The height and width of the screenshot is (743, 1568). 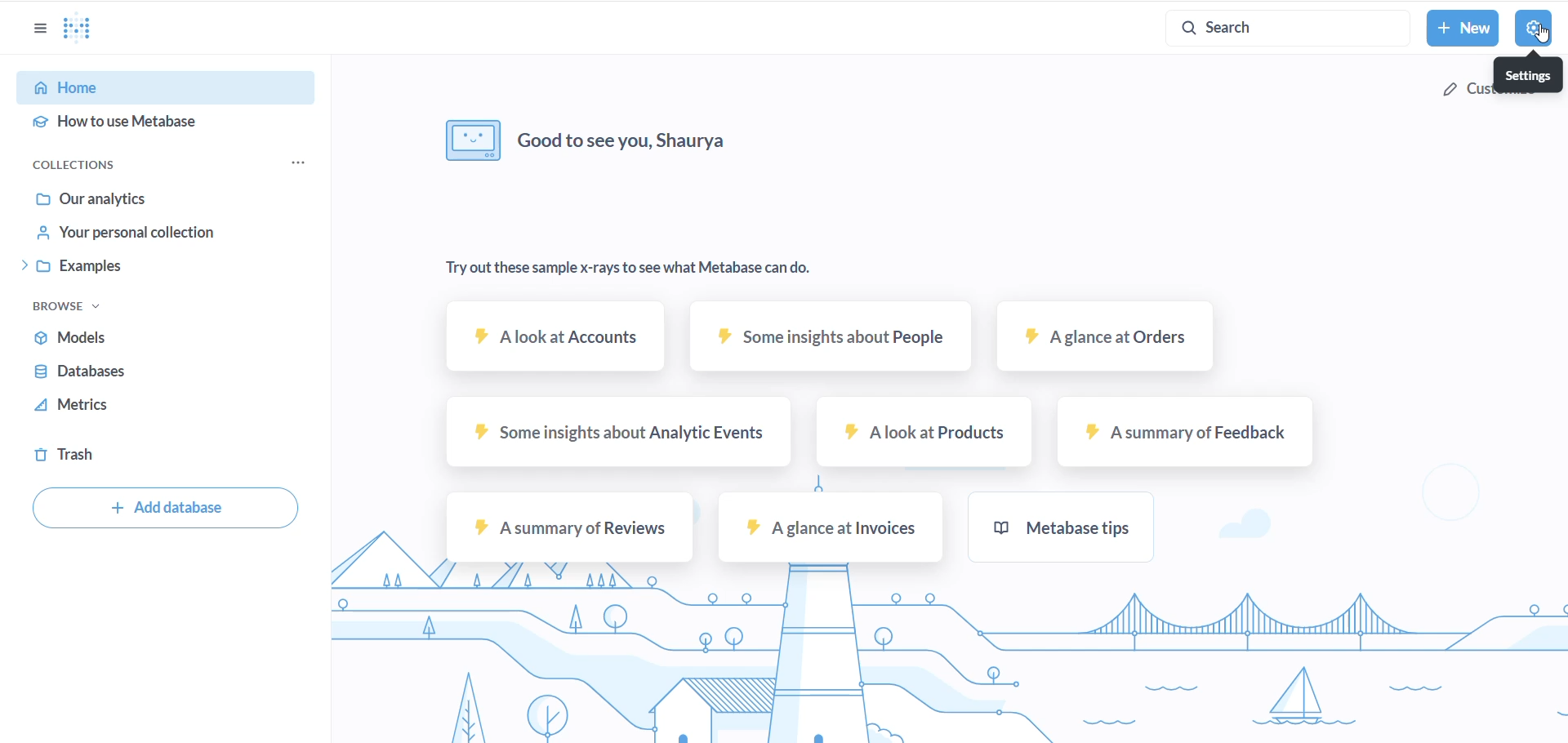 I want to click on Text, so click(x=628, y=269).